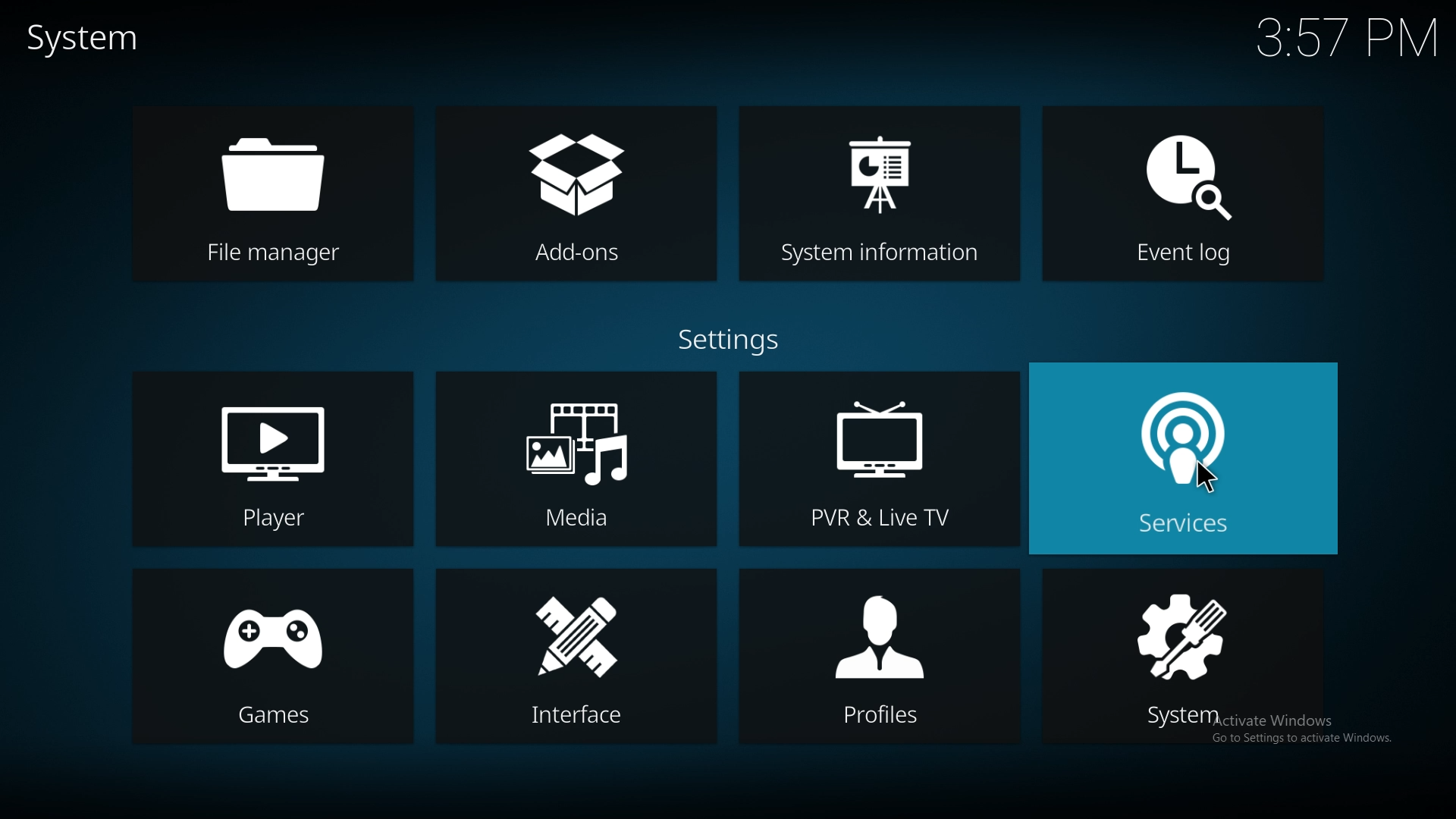 This screenshot has height=819, width=1456. I want to click on media, so click(579, 457).